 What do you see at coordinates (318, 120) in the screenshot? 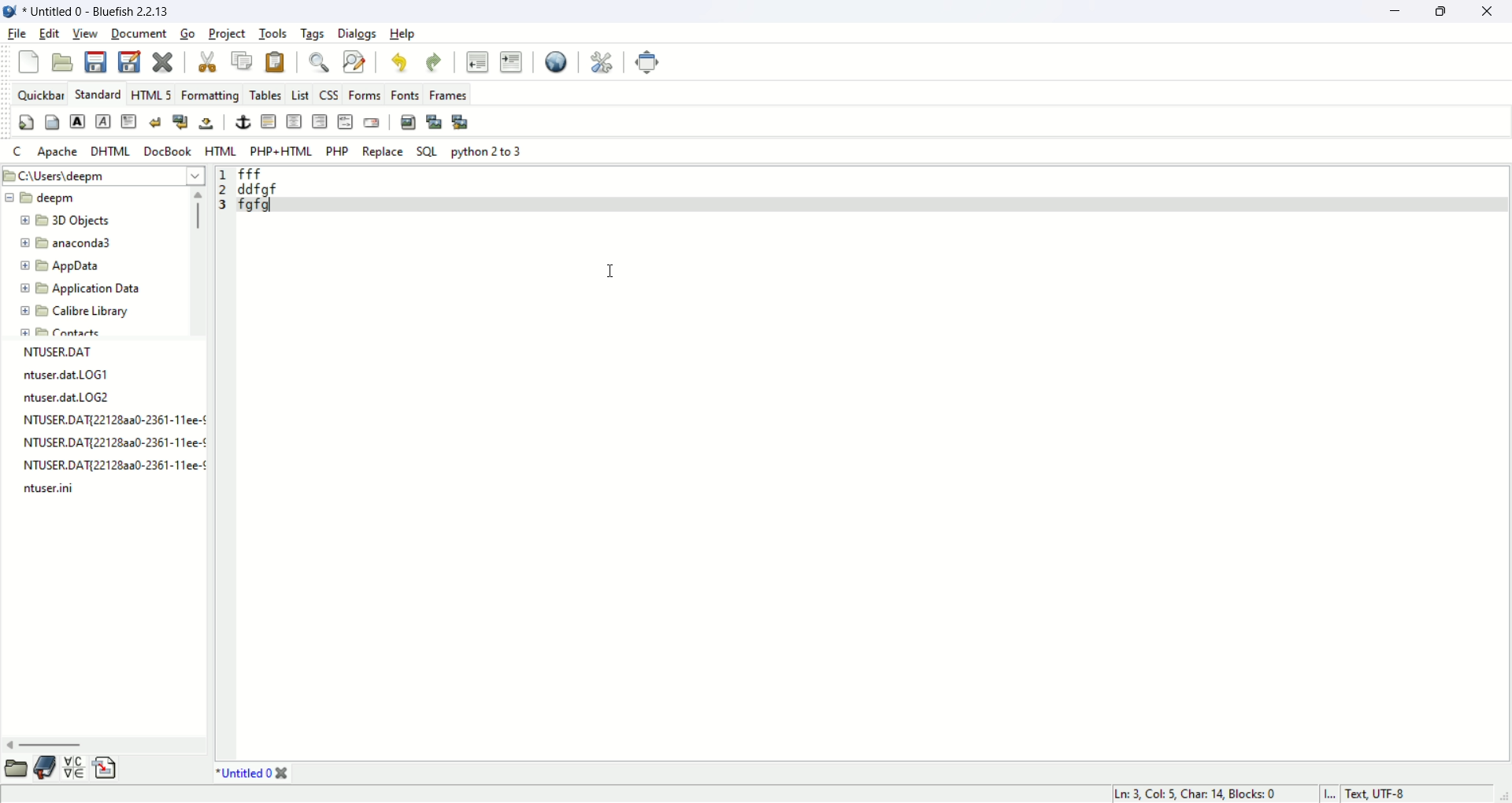
I see `right justify` at bounding box center [318, 120].